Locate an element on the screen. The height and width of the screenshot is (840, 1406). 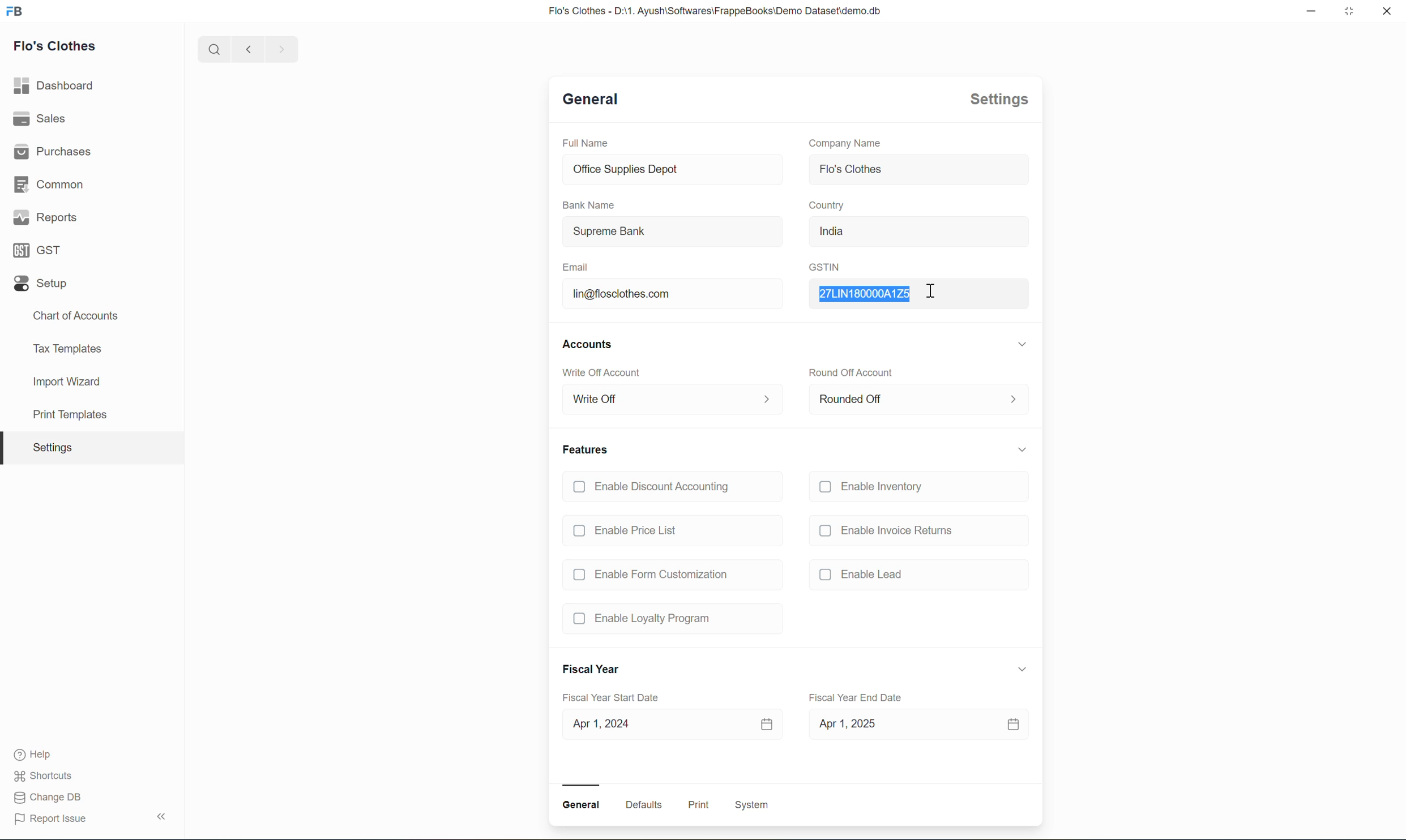
Accounts is located at coordinates (588, 346).